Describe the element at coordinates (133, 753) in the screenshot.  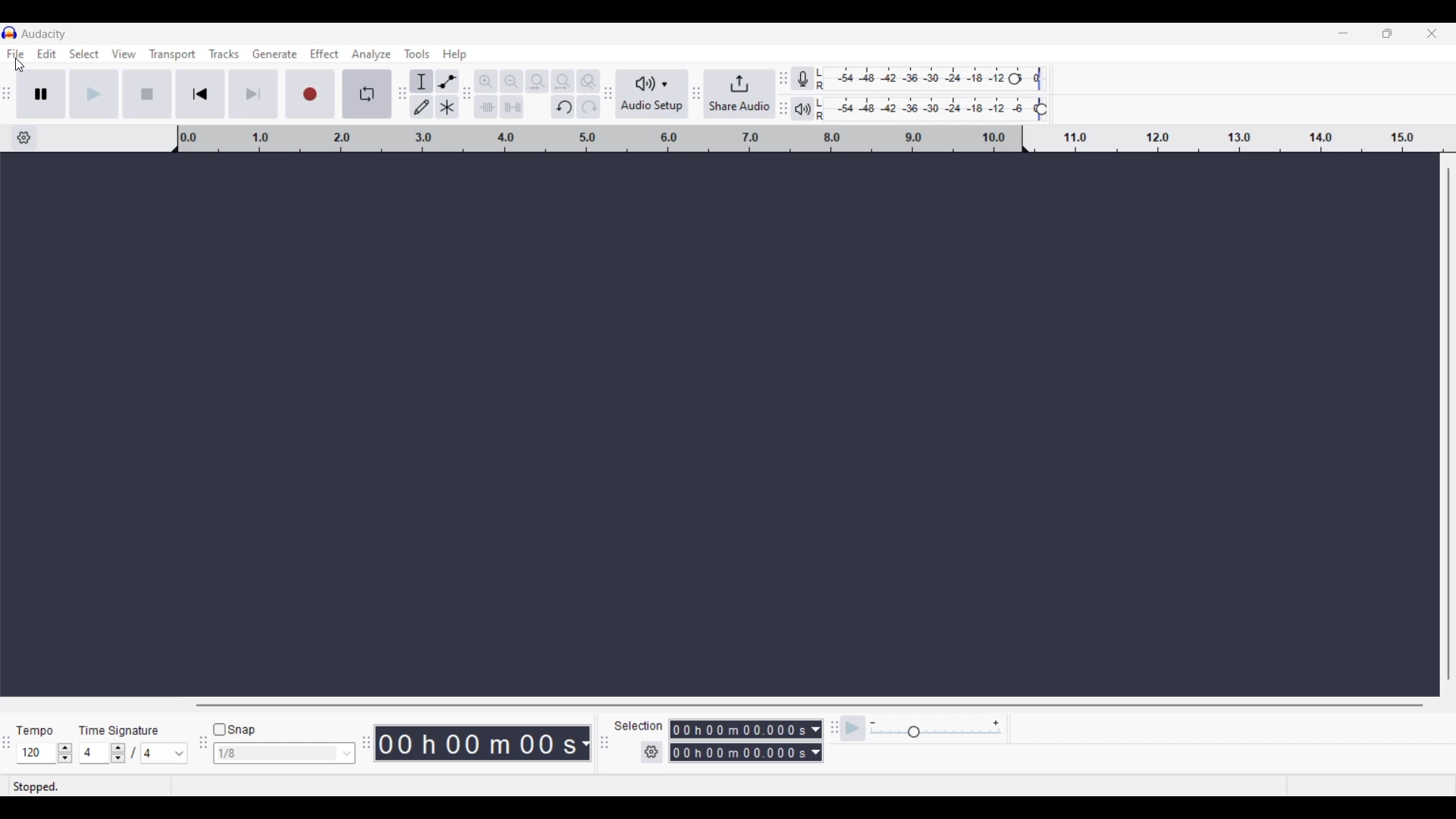
I see `4/4 (select time signature)` at that location.